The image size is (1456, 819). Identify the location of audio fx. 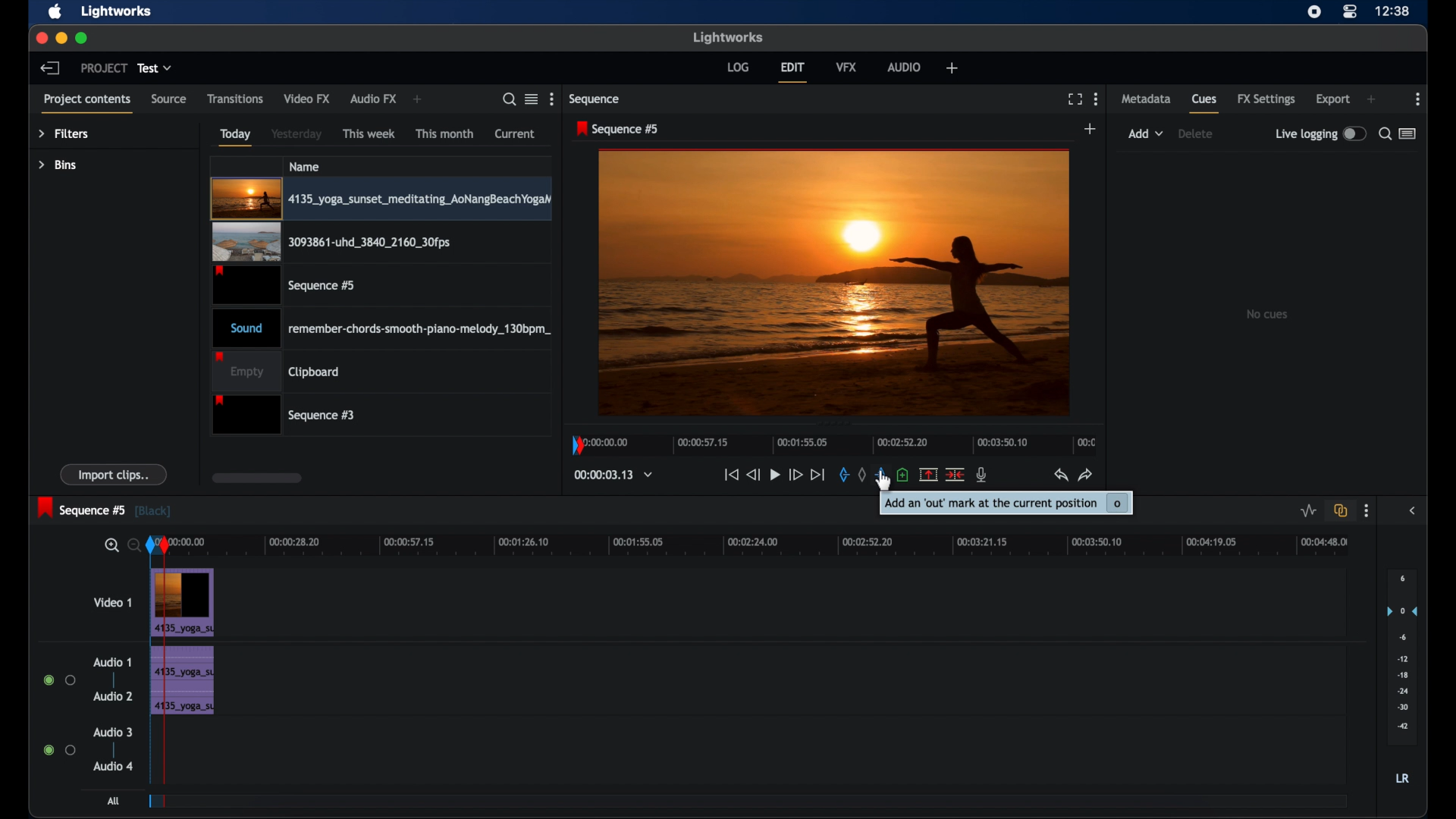
(374, 99).